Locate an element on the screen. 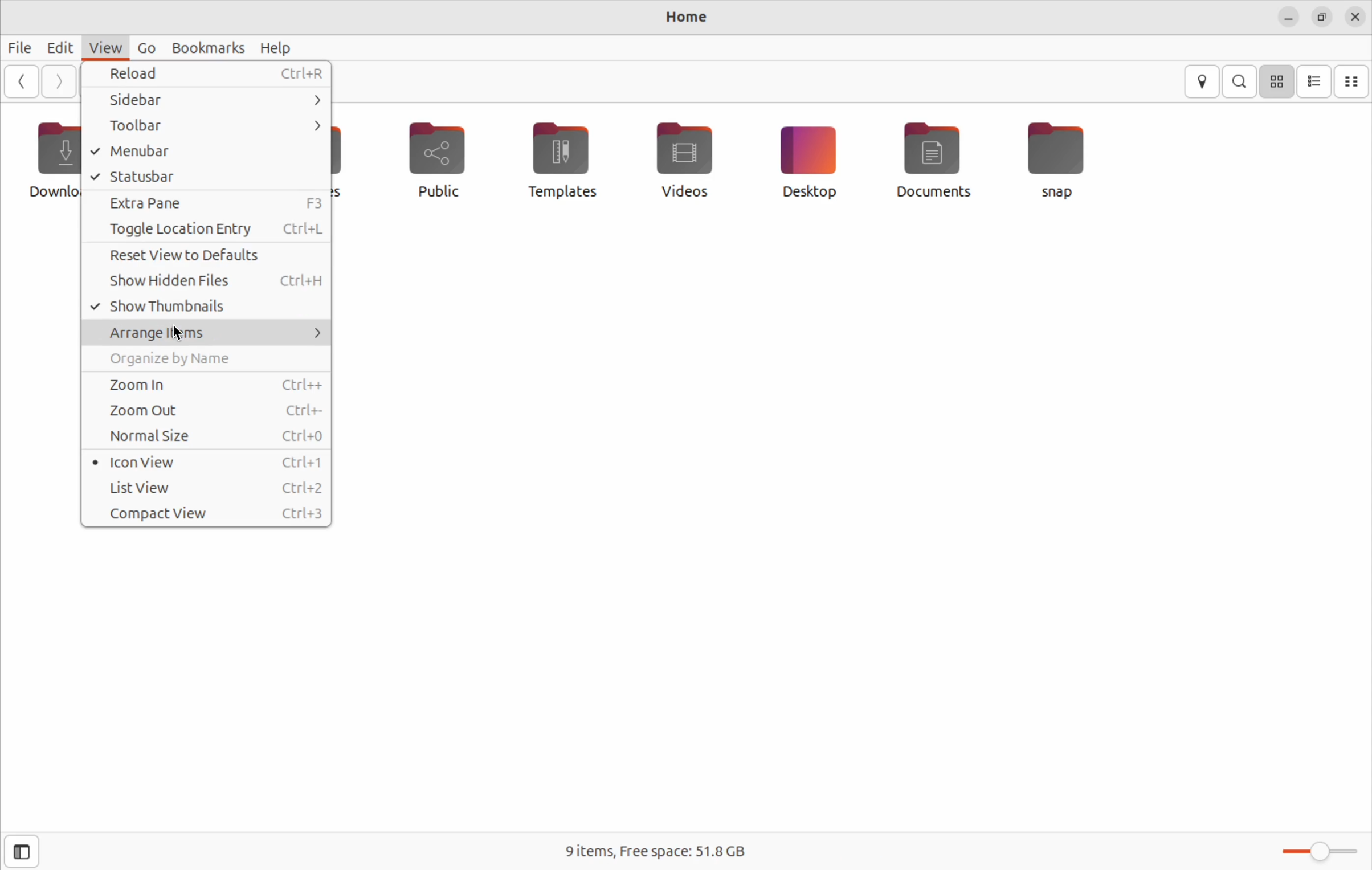  bookmarks is located at coordinates (208, 47).